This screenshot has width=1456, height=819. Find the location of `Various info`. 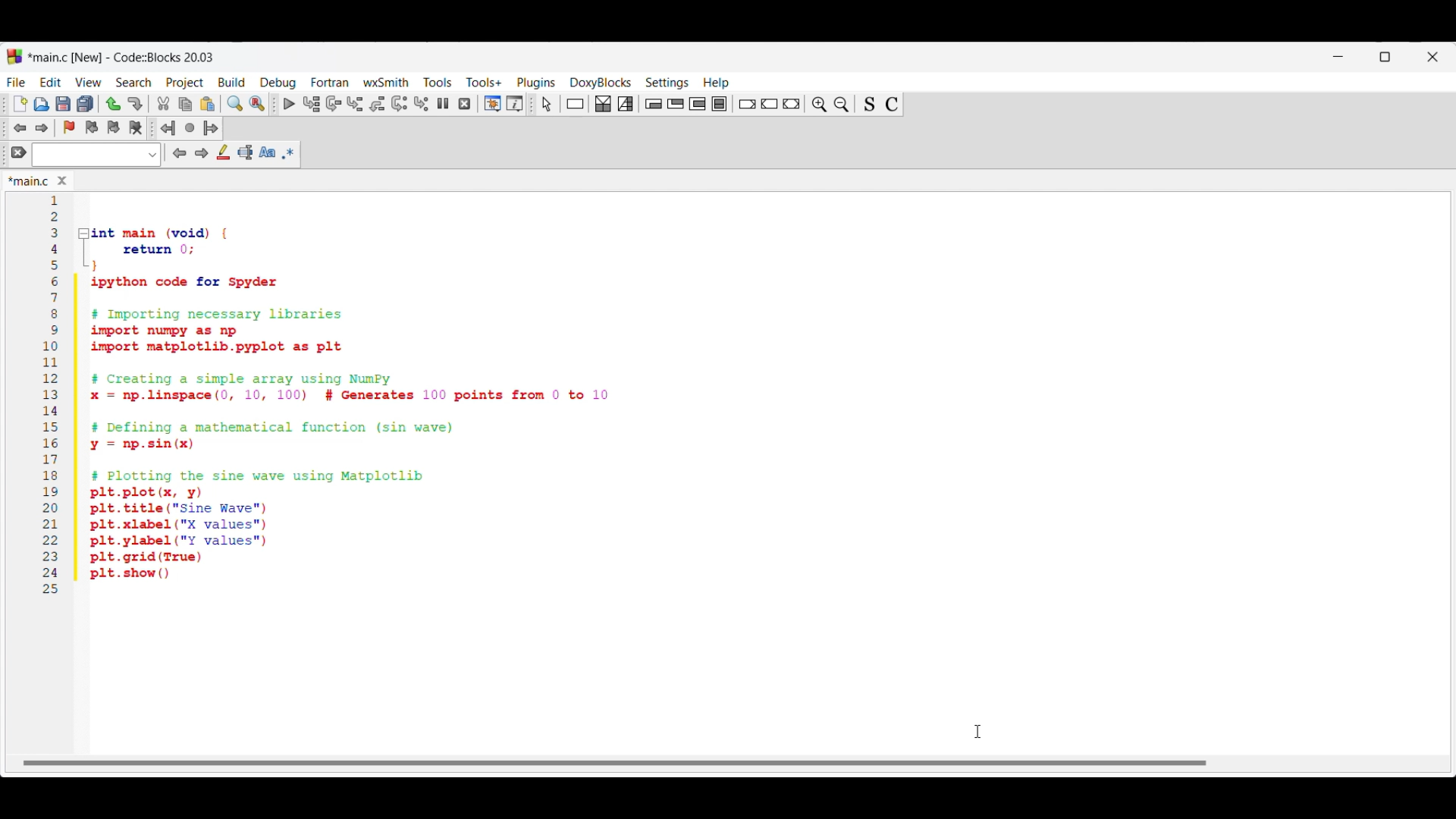

Various info is located at coordinates (515, 104).